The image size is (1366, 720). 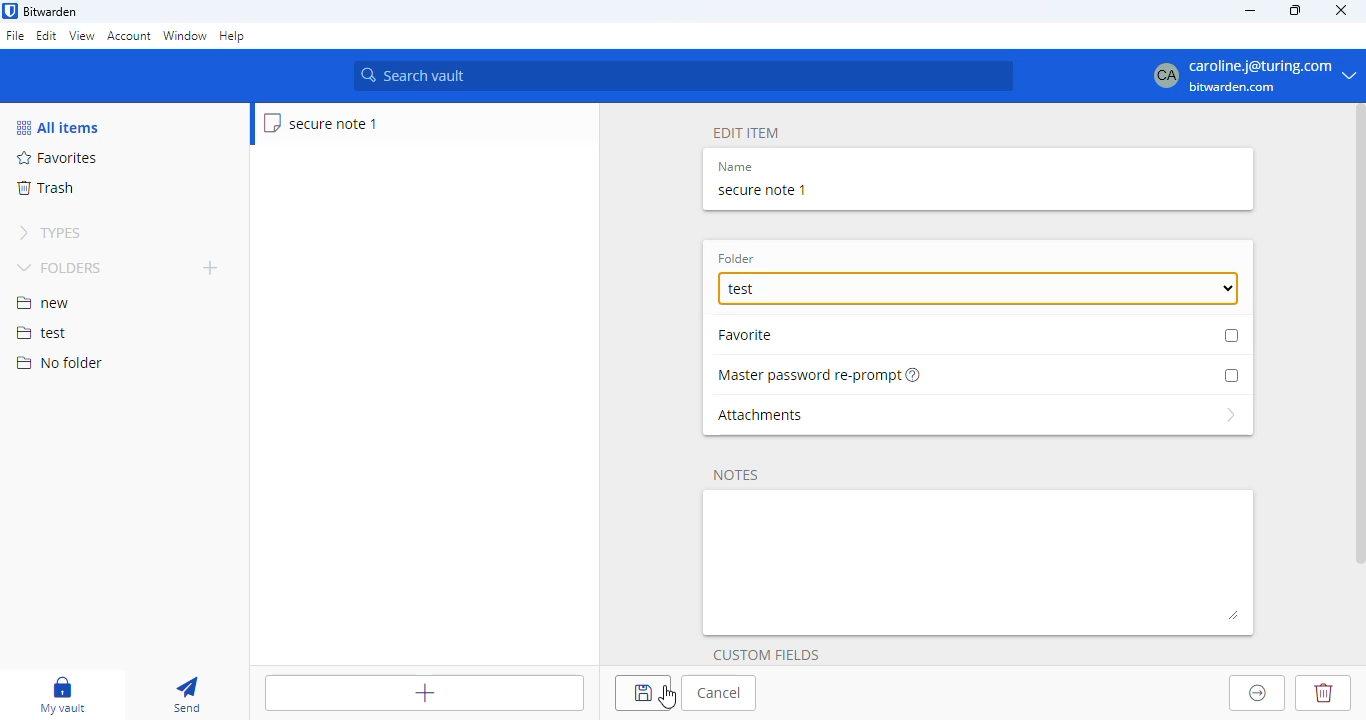 What do you see at coordinates (735, 167) in the screenshot?
I see `name` at bounding box center [735, 167].